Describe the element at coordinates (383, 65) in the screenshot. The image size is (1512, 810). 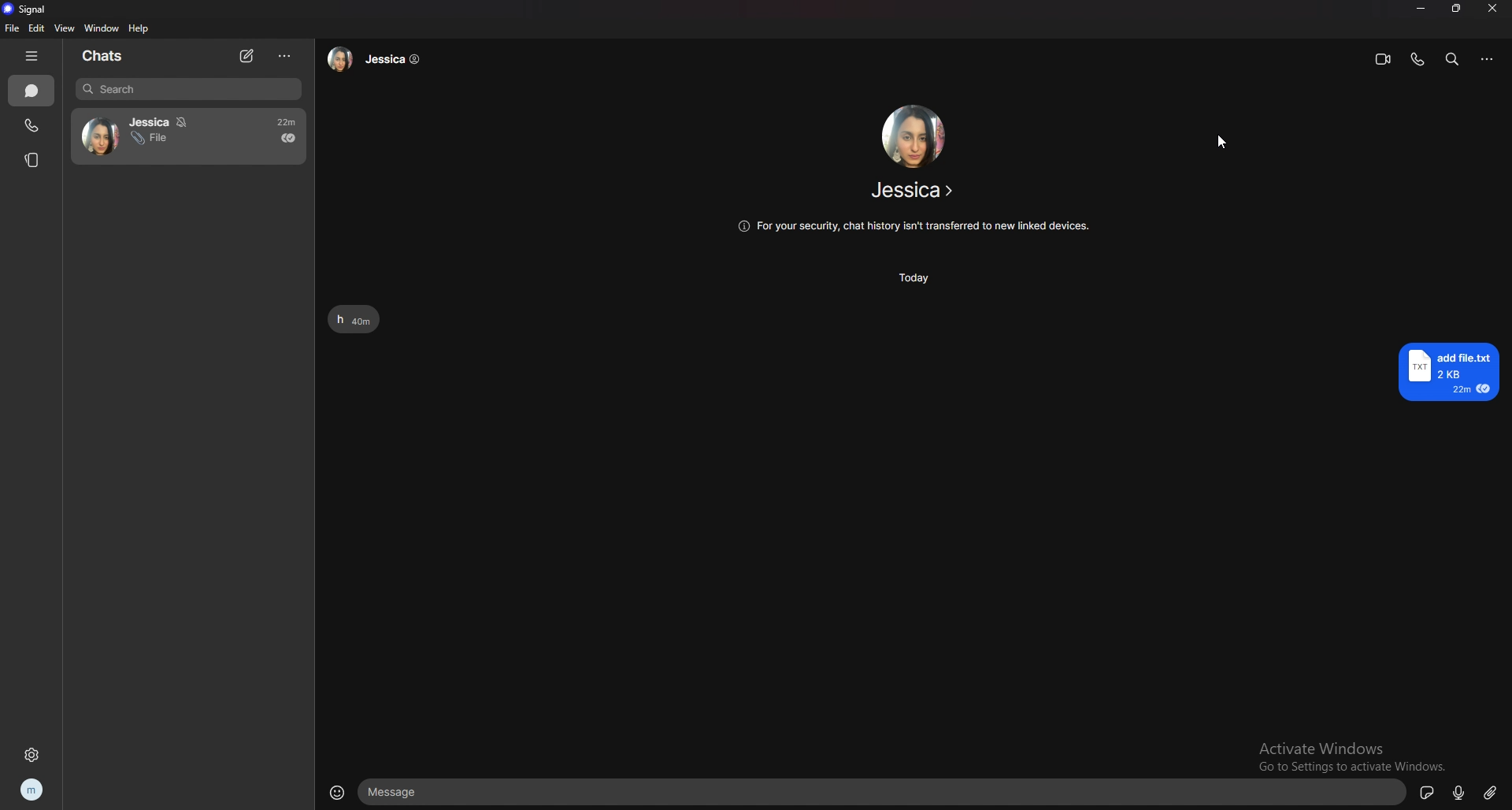
I see `Jessica ` at that location.